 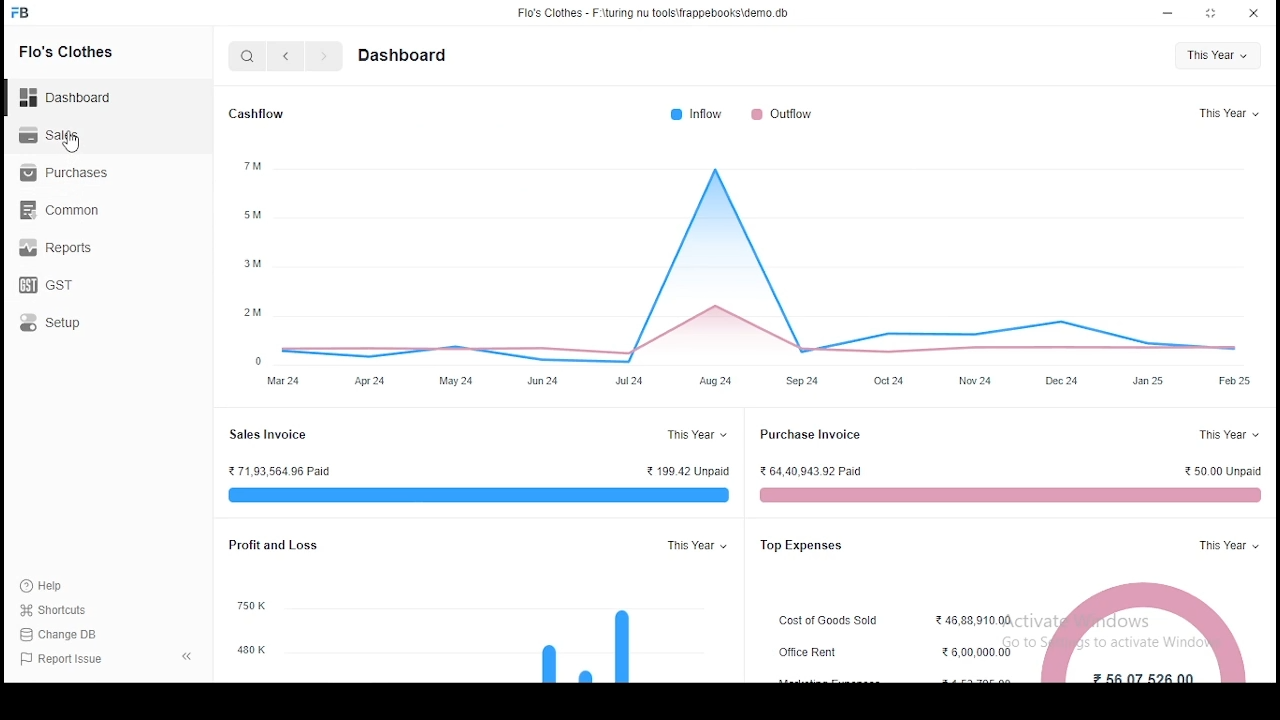 What do you see at coordinates (257, 361) in the screenshot?
I see `0` at bounding box center [257, 361].